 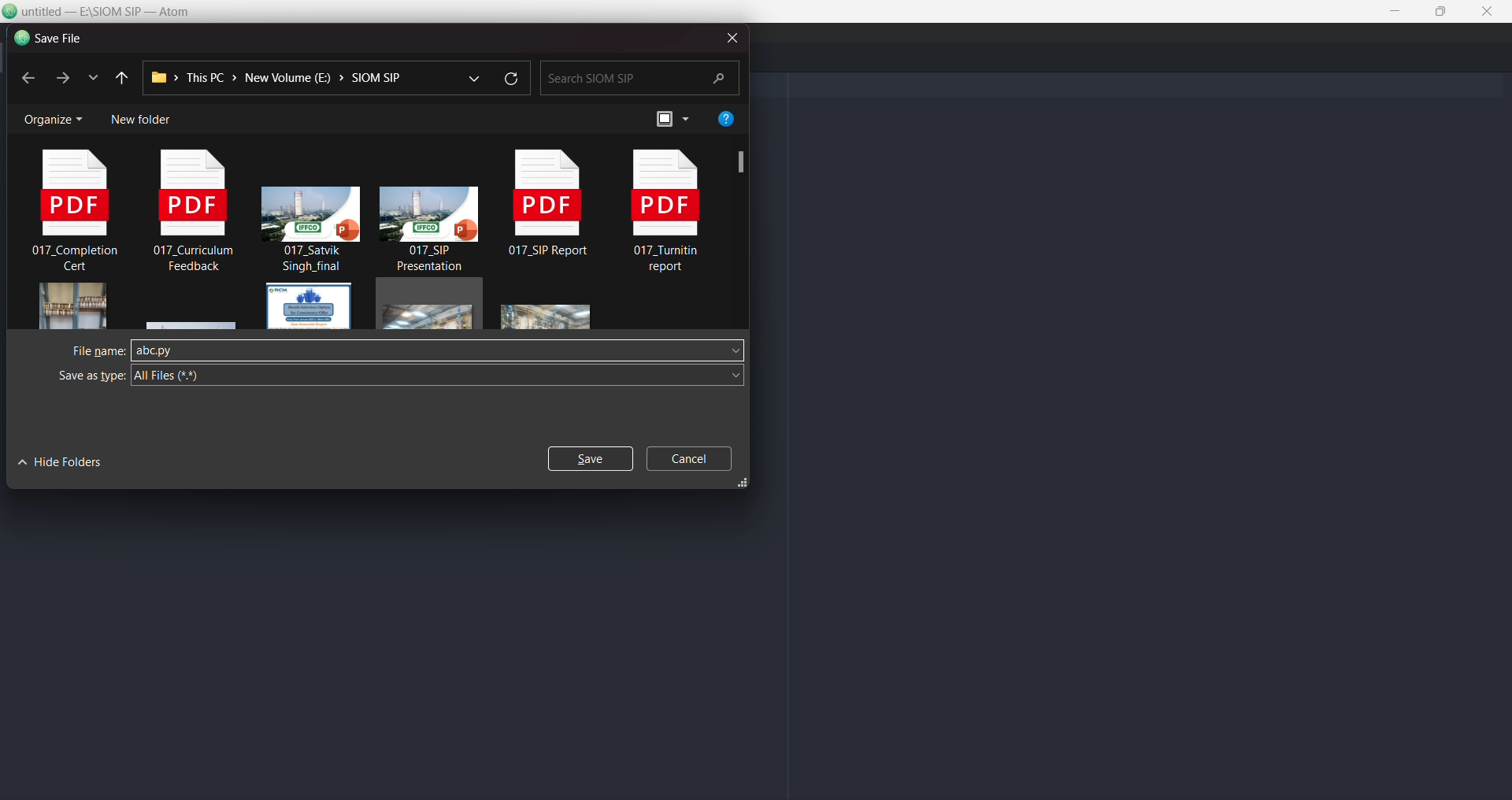 What do you see at coordinates (426, 228) in the screenshot?
I see `presentation` at bounding box center [426, 228].